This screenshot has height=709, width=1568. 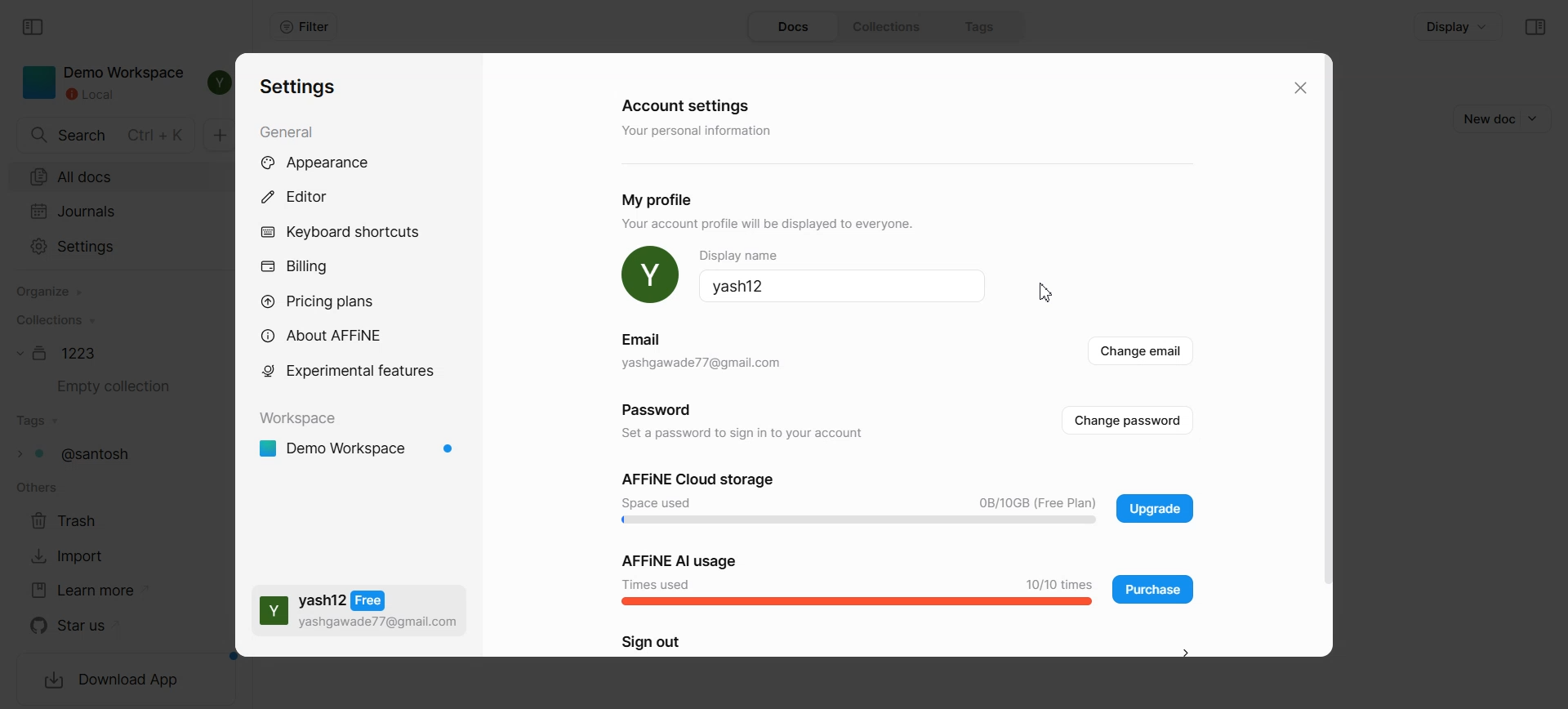 What do you see at coordinates (34, 28) in the screenshot?
I see `Collapse sidebar` at bounding box center [34, 28].